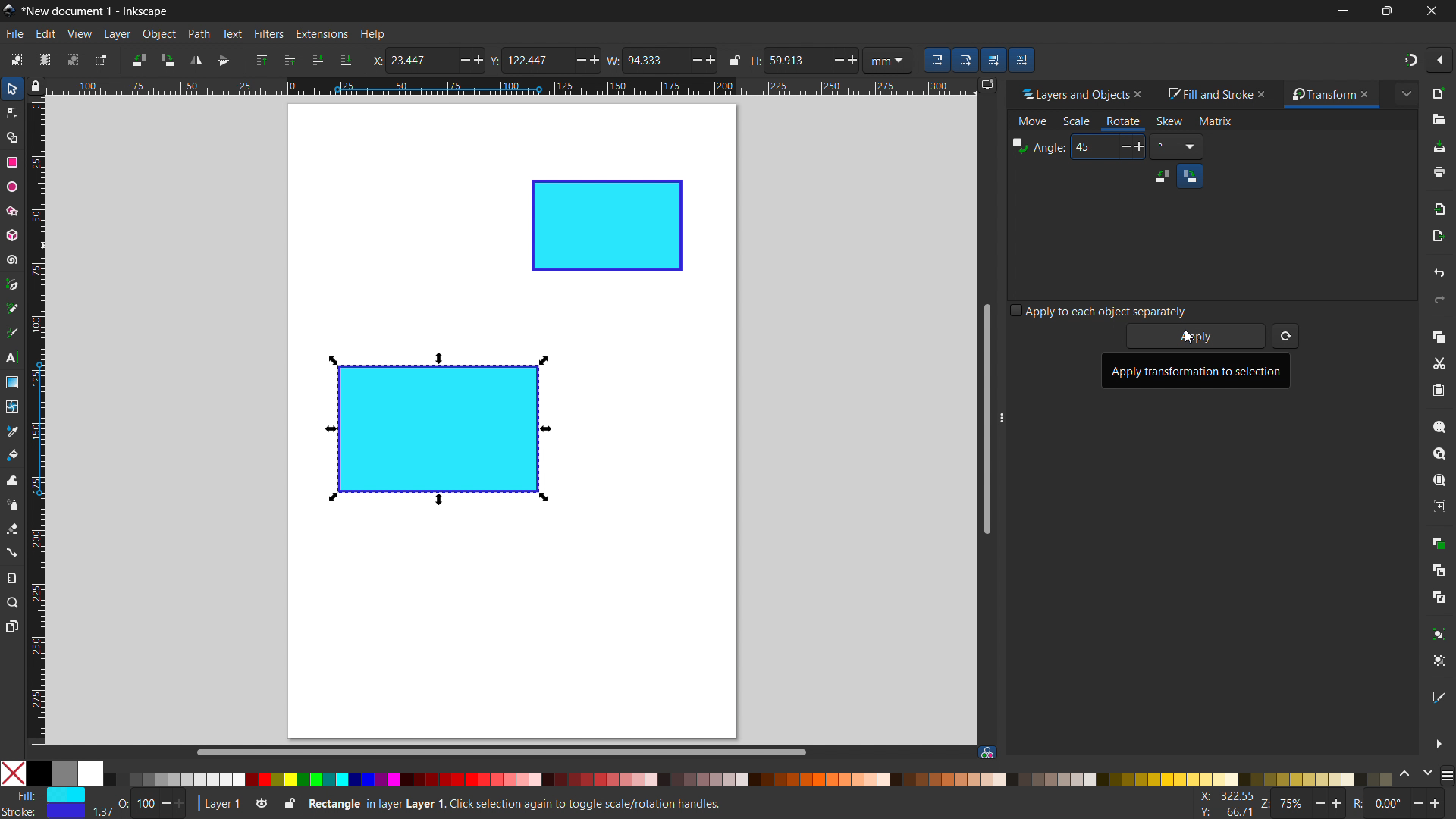 Image resolution: width=1456 pixels, height=819 pixels. Describe the element at coordinates (10, 136) in the screenshot. I see `shape builder tool` at that location.